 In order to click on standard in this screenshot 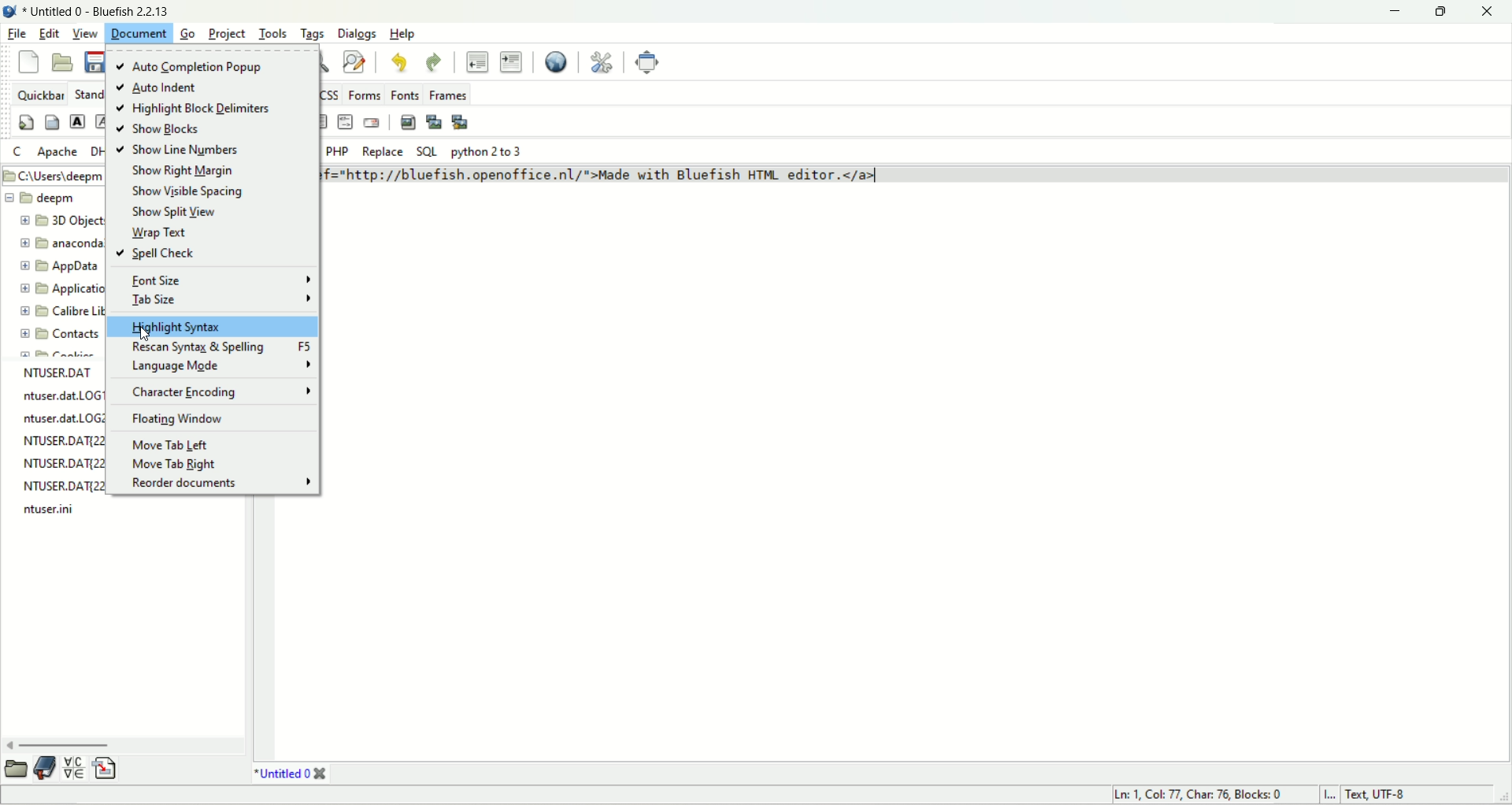, I will do `click(87, 94)`.